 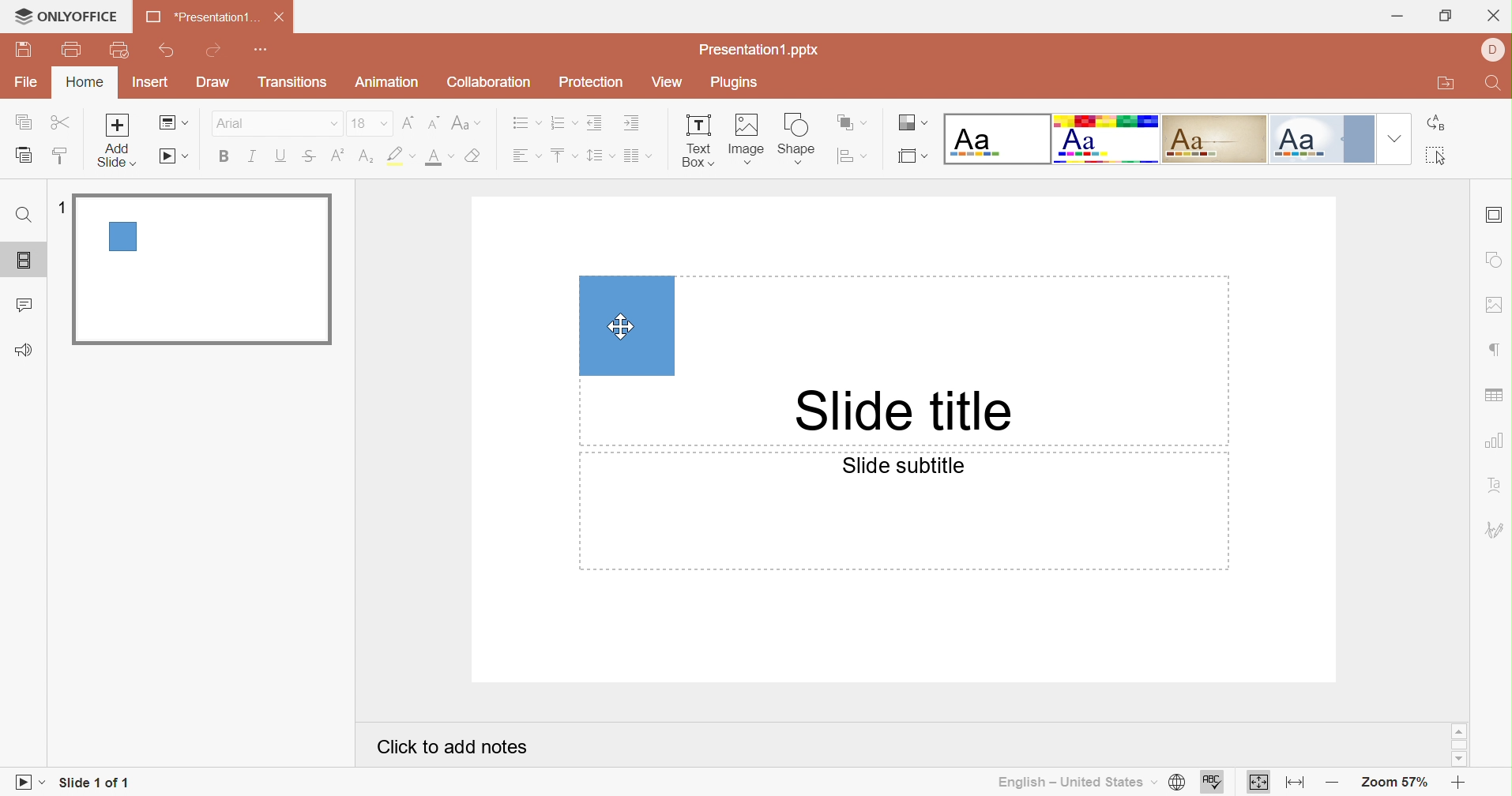 I want to click on Presentation1.pptx, so click(x=759, y=50).